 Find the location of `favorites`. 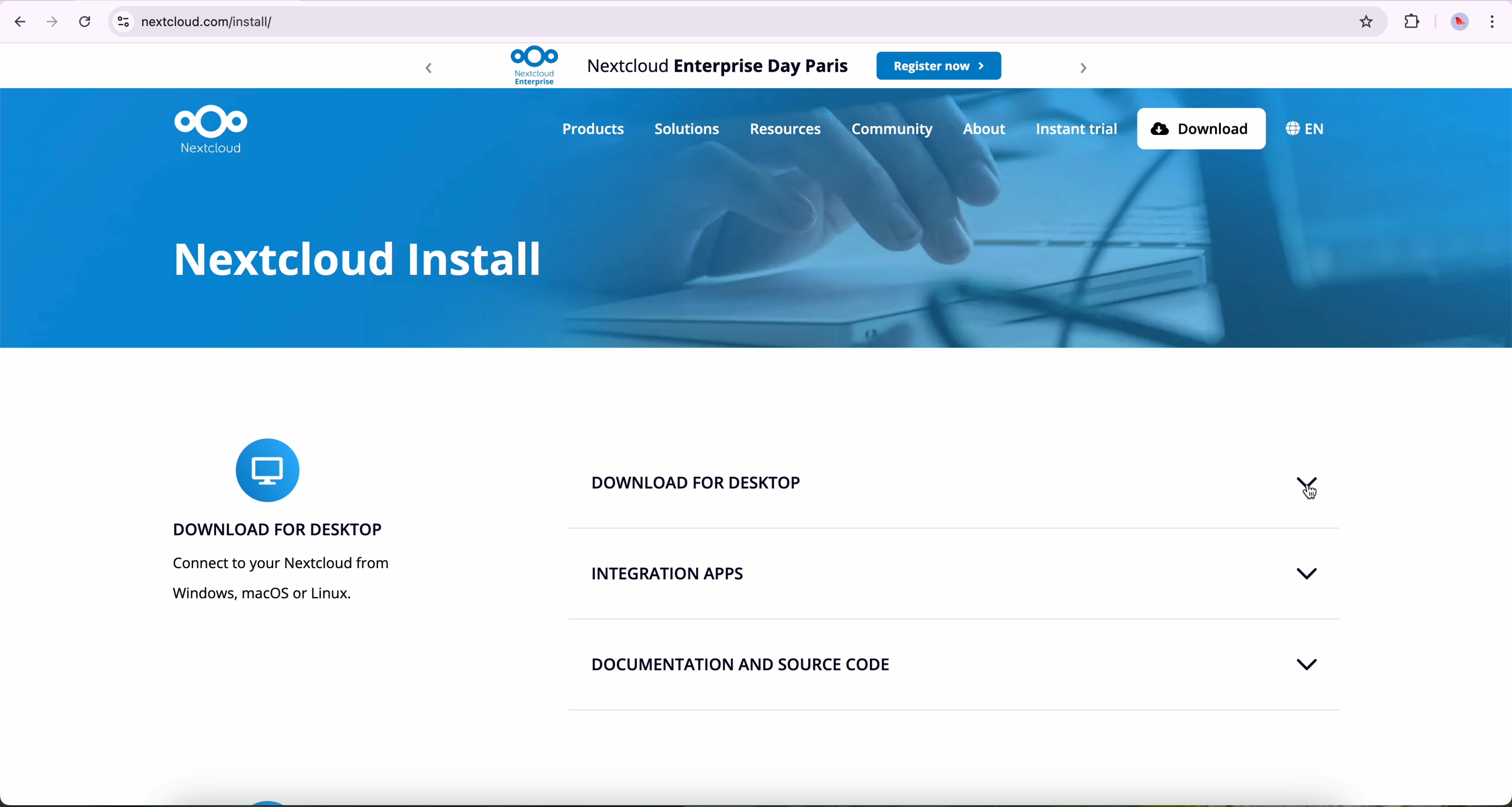

favorites is located at coordinates (1368, 22).